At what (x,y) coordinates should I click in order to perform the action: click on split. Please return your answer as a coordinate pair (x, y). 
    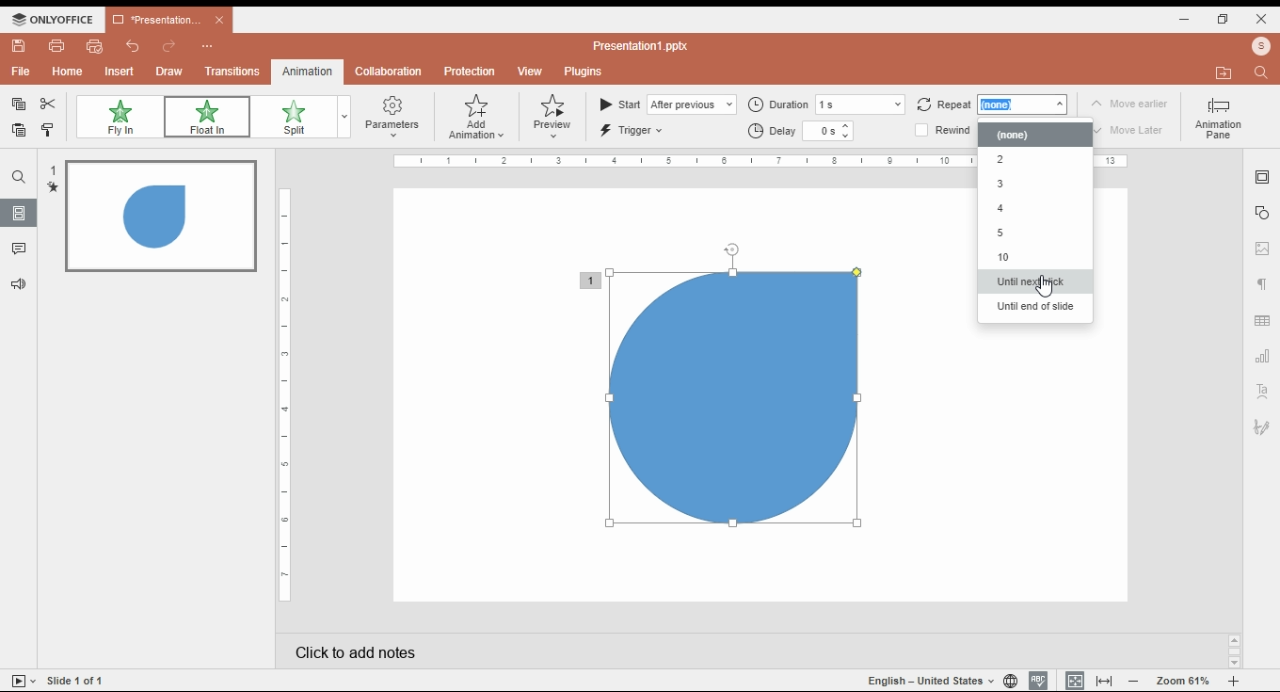
    Looking at the image, I should click on (292, 118).